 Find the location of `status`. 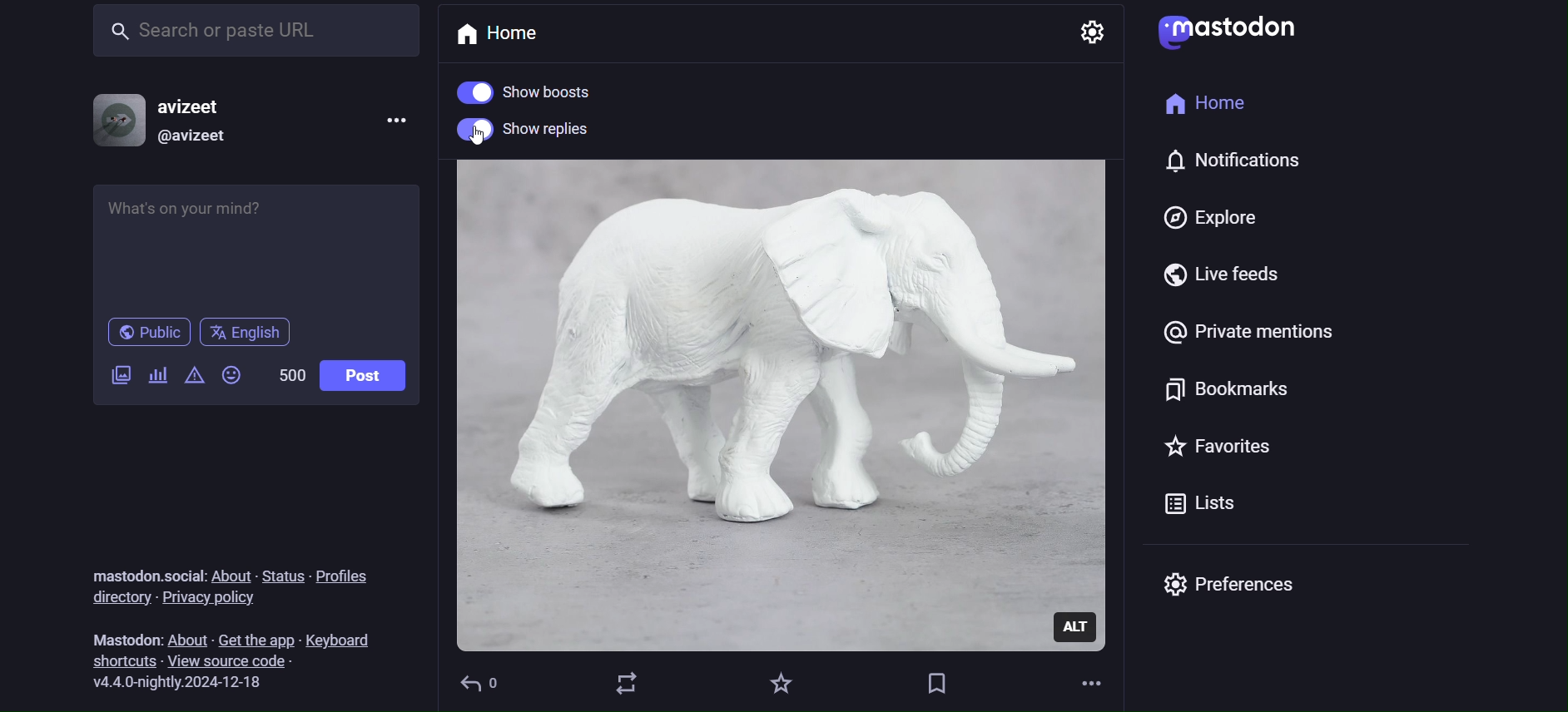

status is located at coordinates (283, 573).